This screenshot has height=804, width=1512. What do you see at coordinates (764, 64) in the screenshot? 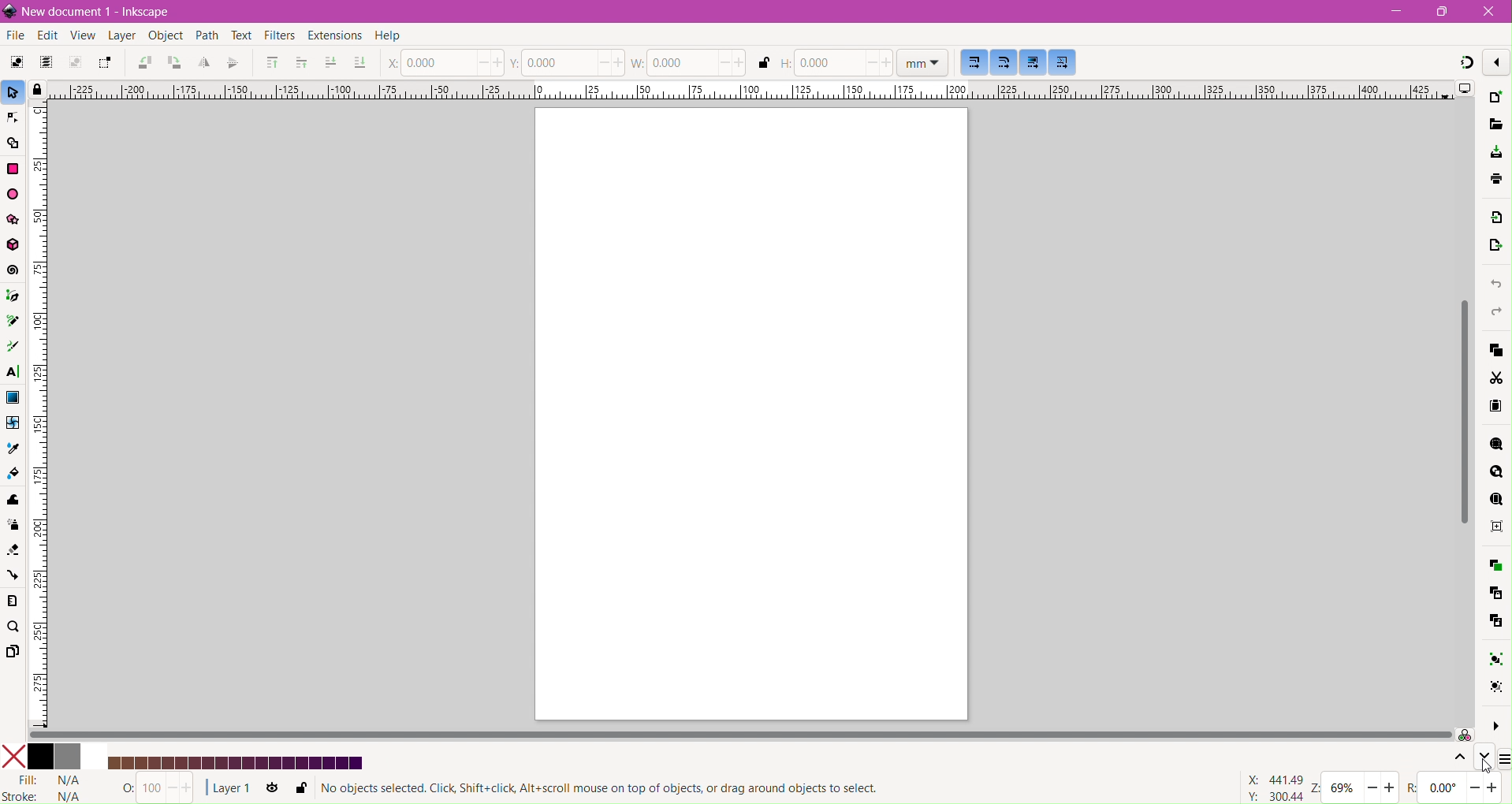
I see `When locked, change both width and height by the same proportion ` at bounding box center [764, 64].